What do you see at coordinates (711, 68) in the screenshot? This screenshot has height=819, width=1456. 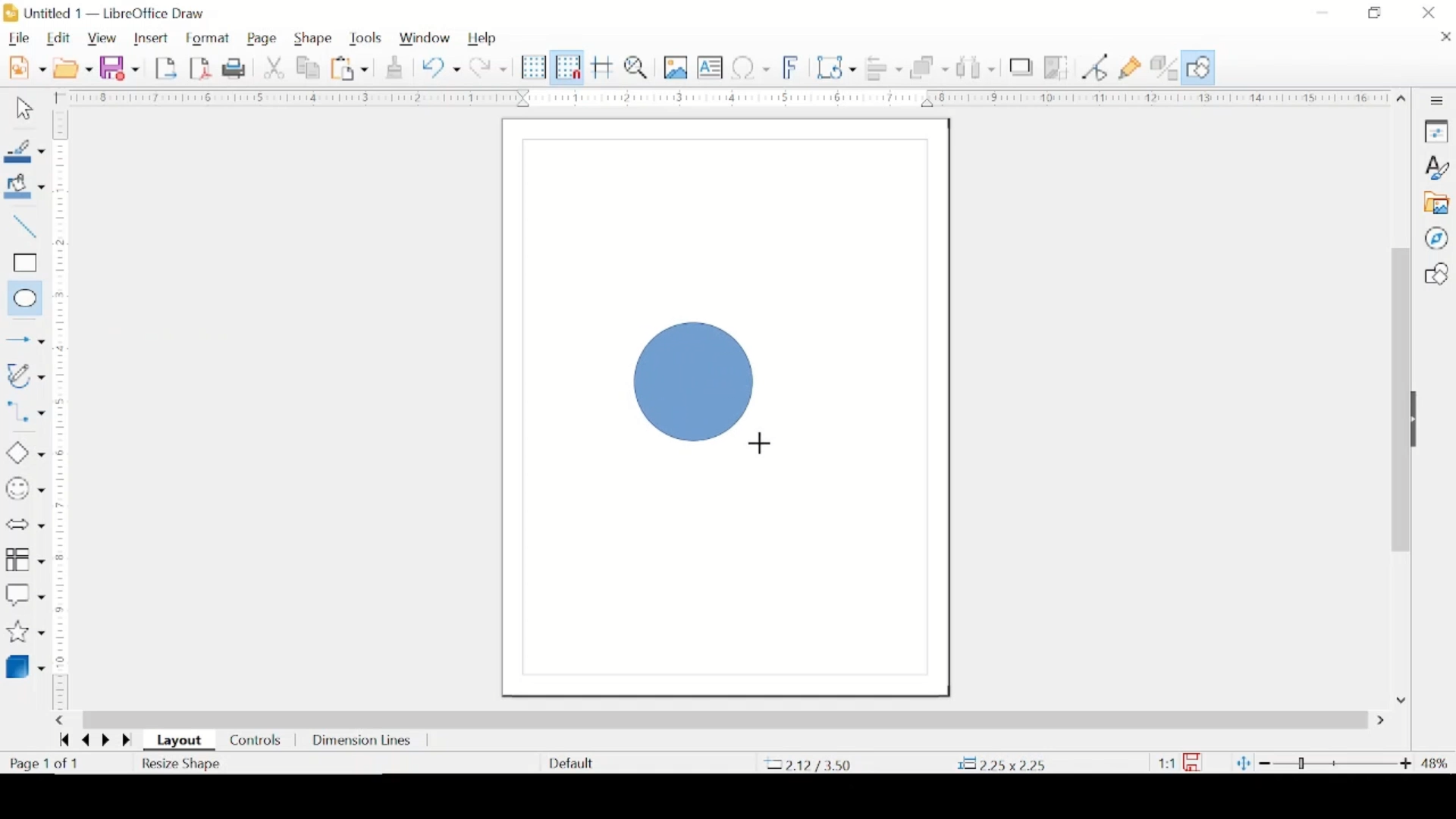 I see `insert textbox` at bounding box center [711, 68].